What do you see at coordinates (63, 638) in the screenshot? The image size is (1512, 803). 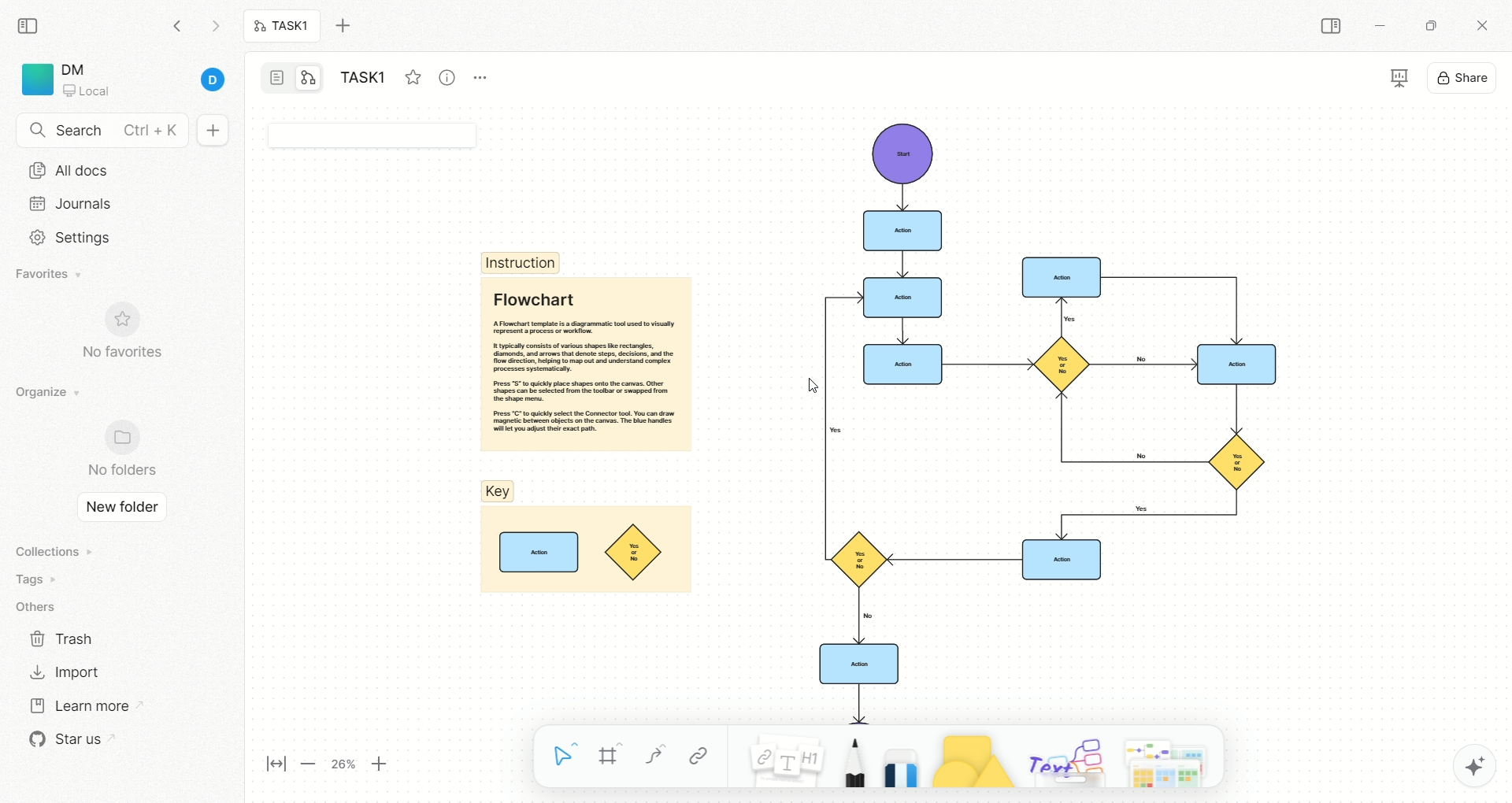 I see `trash` at bounding box center [63, 638].